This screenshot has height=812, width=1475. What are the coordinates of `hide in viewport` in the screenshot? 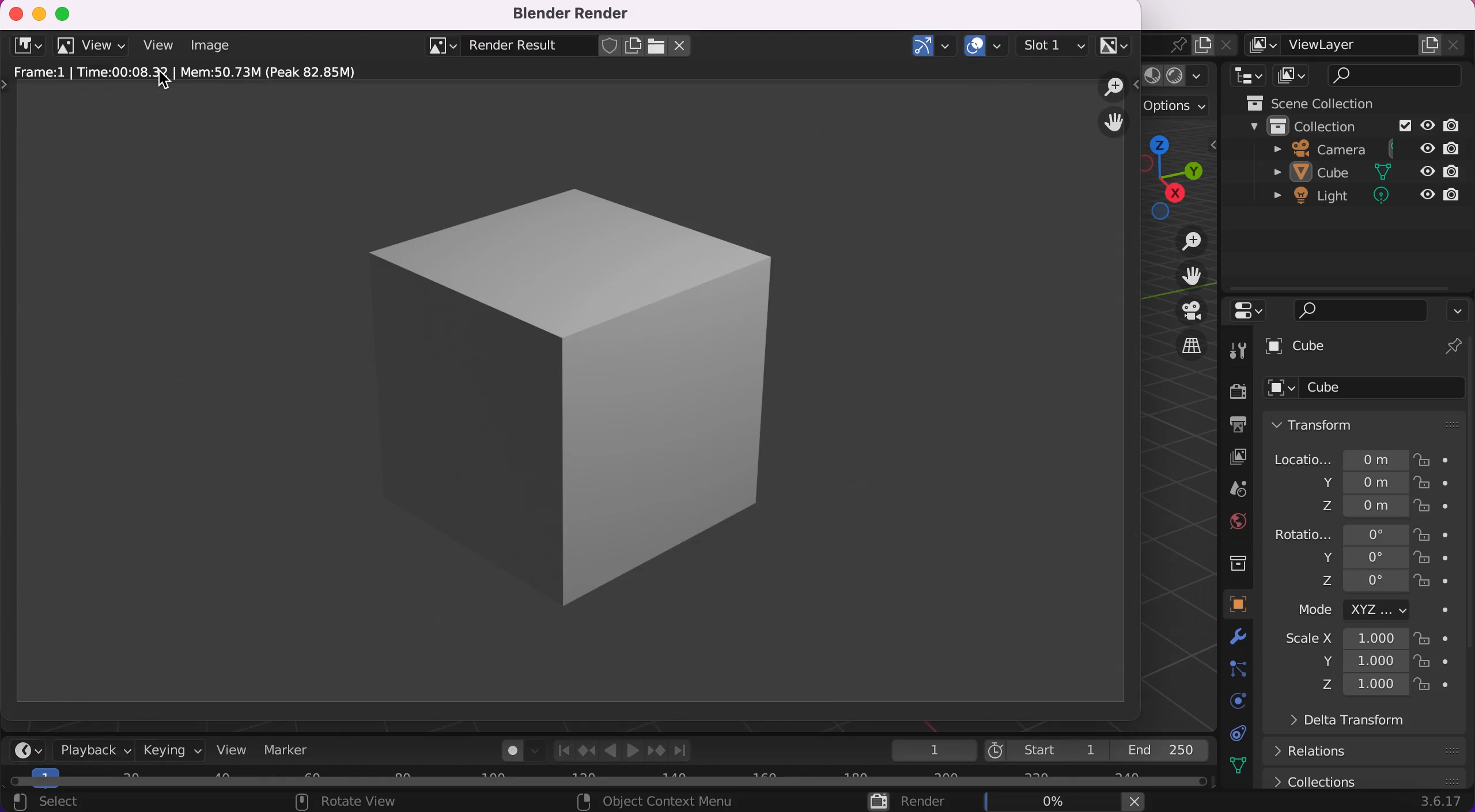 It's located at (1427, 126).